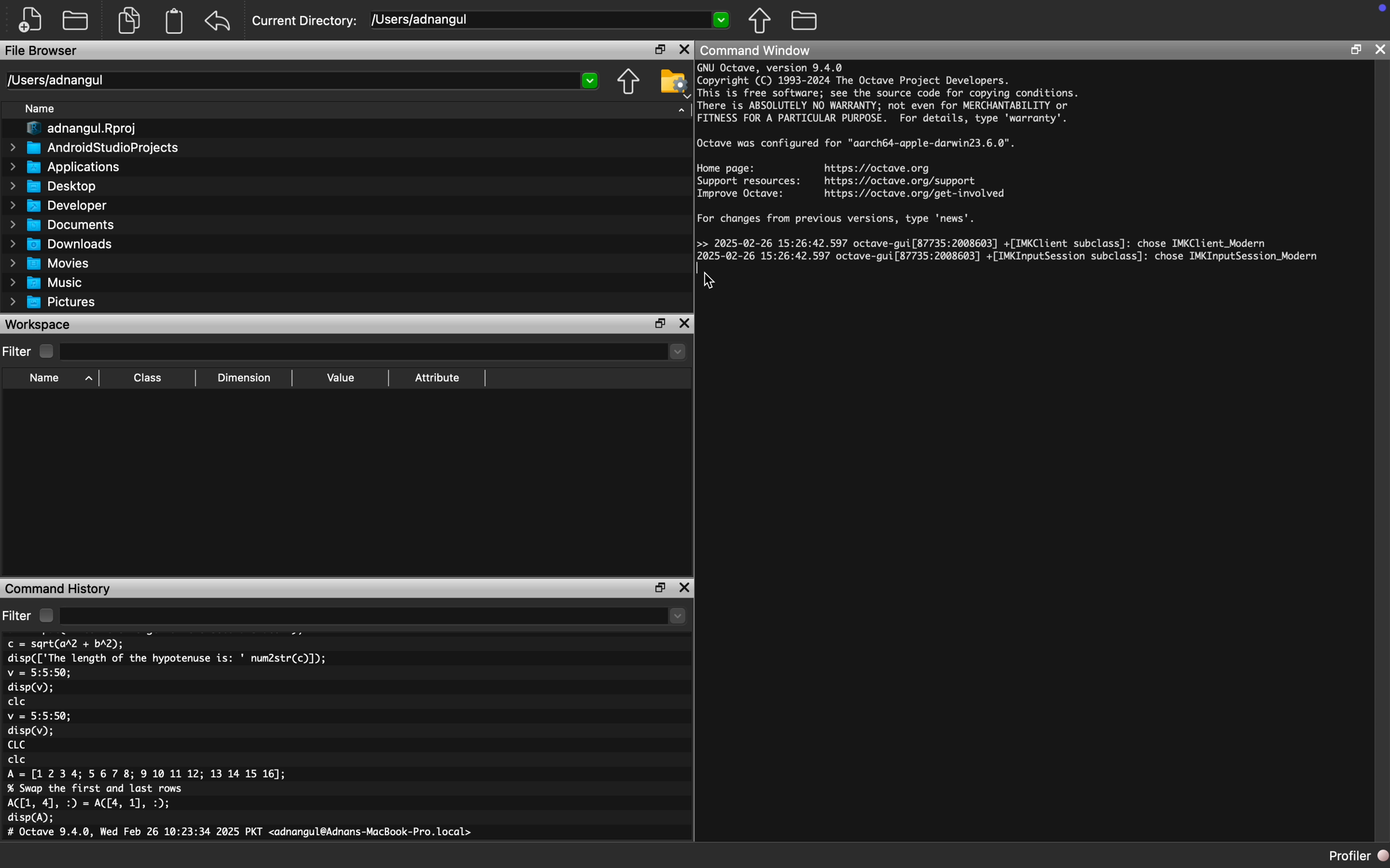 This screenshot has width=1390, height=868. Describe the element at coordinates (243, 834) in the screenshot. I see `# Octave 9.4.0, Wed Feb 26 10:23:34 2025 PKT <adnangul@Adnans-MacBook-Pro.local>` at that location.